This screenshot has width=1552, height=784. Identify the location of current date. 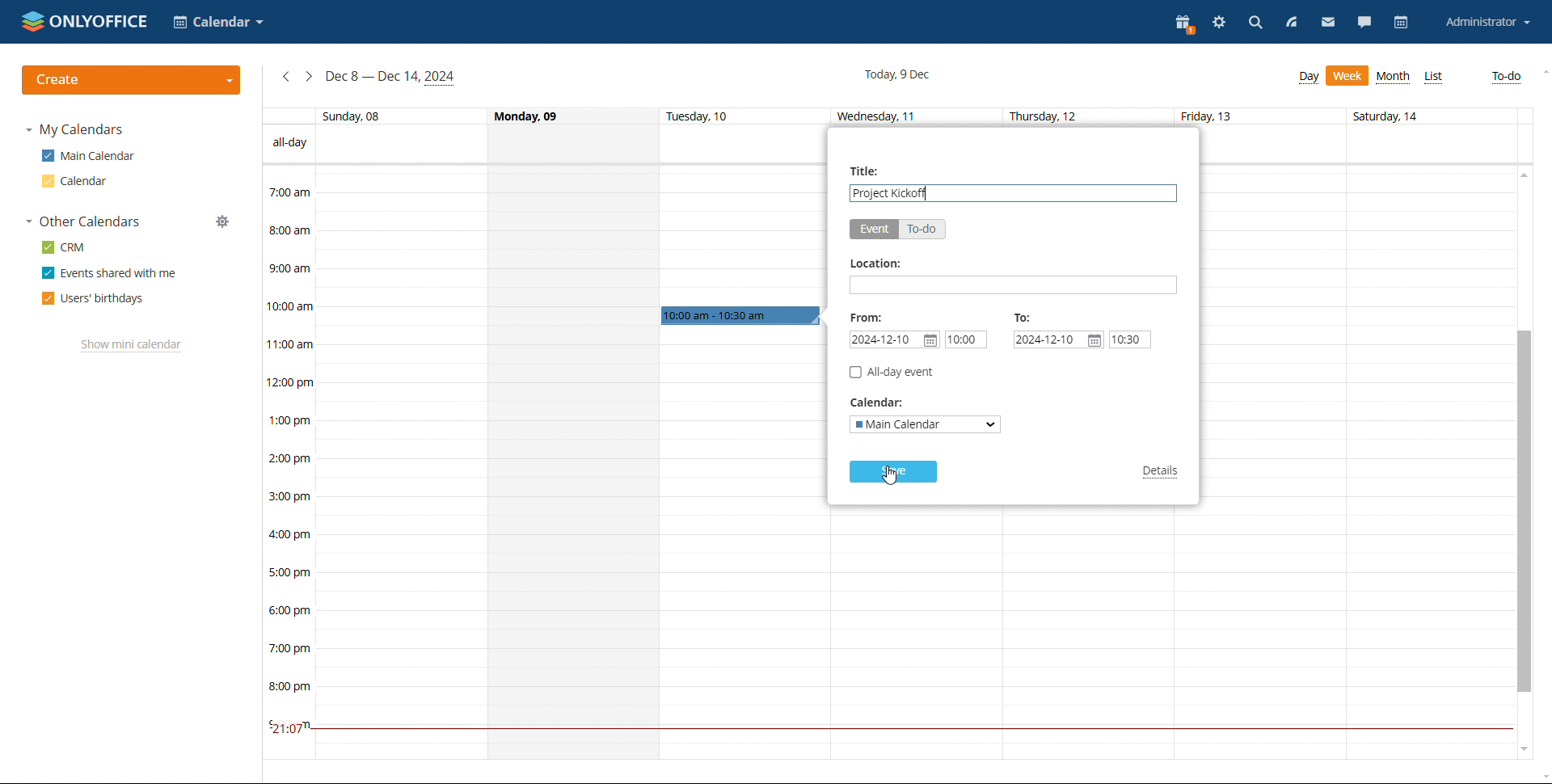
(900, 74).